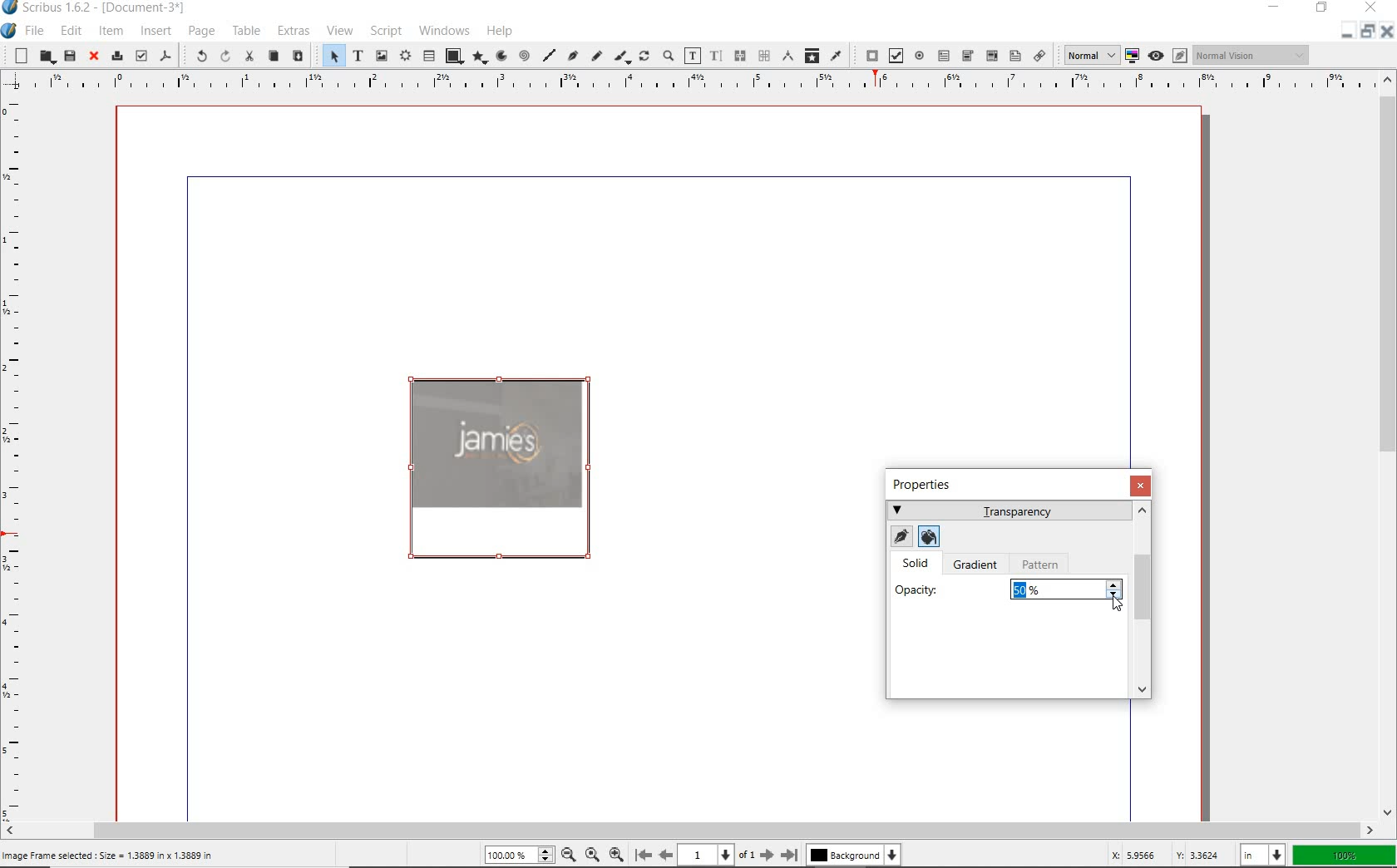 Image resolution: width=1397 pixels, height=868 pixels. I want to click on pdf combo box, so click(967, 56).